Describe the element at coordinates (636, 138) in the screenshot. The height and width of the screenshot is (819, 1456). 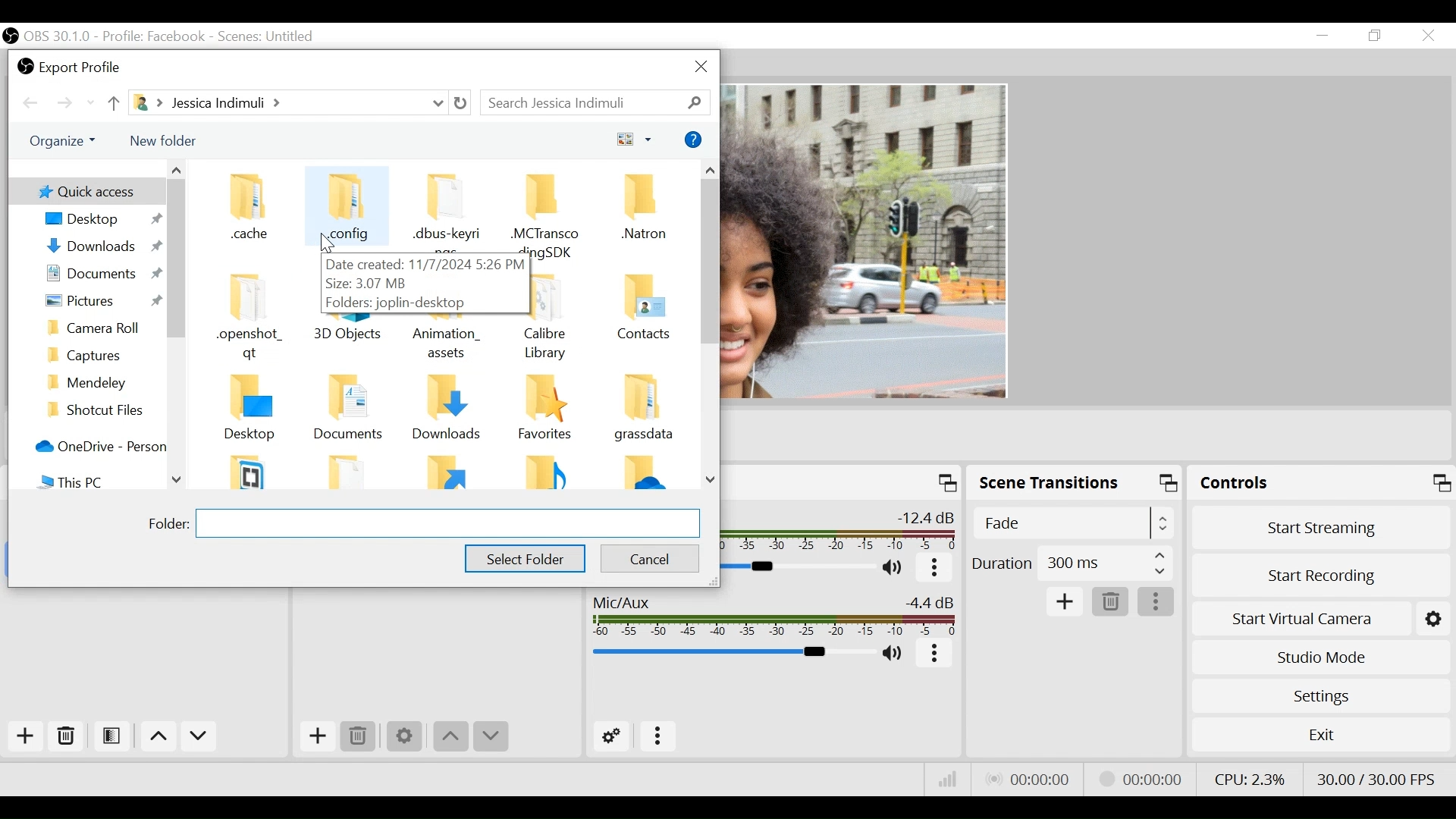
I see `Change your view` at that location.